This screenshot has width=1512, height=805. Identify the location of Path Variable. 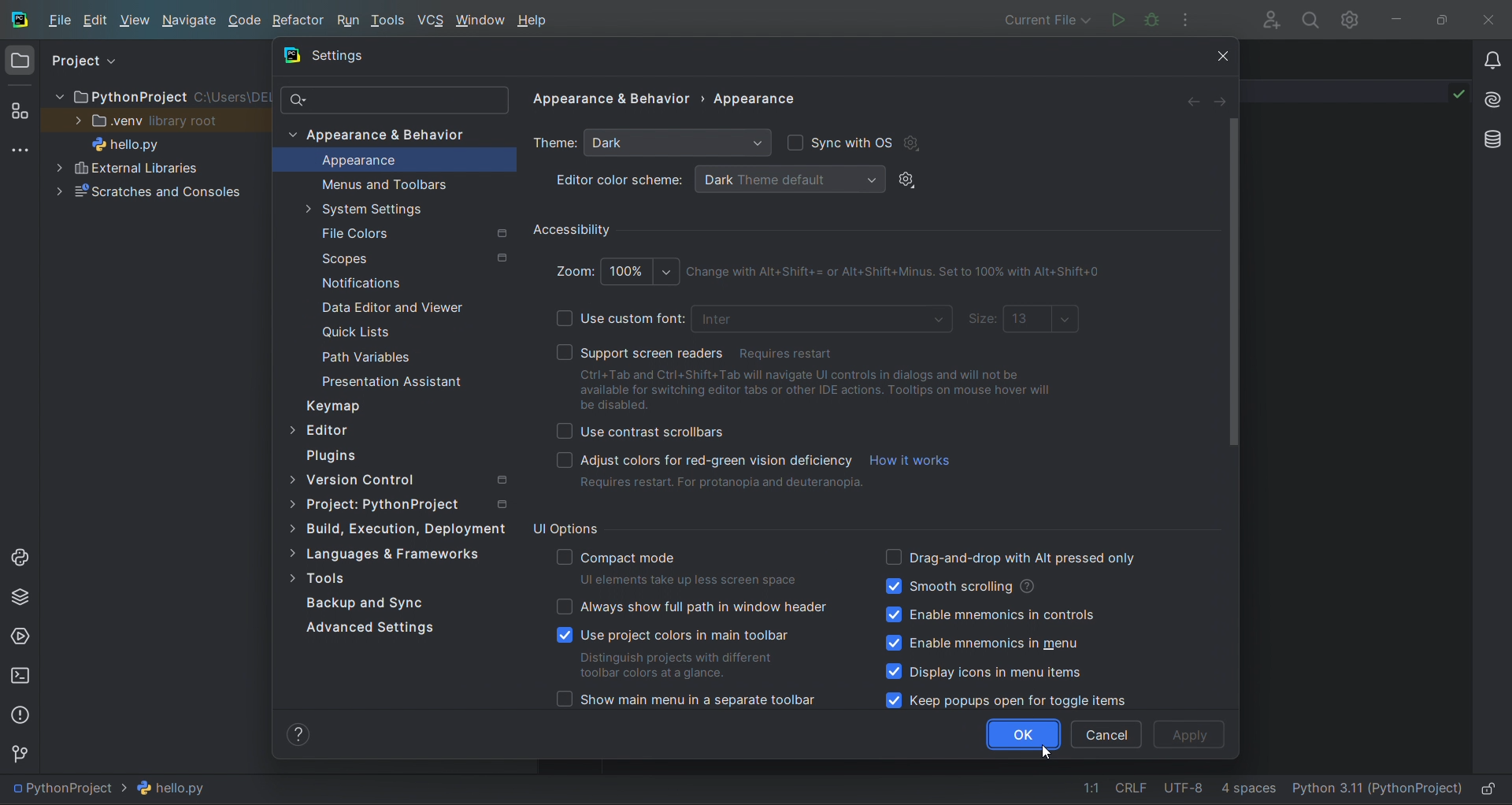
(386, 357).